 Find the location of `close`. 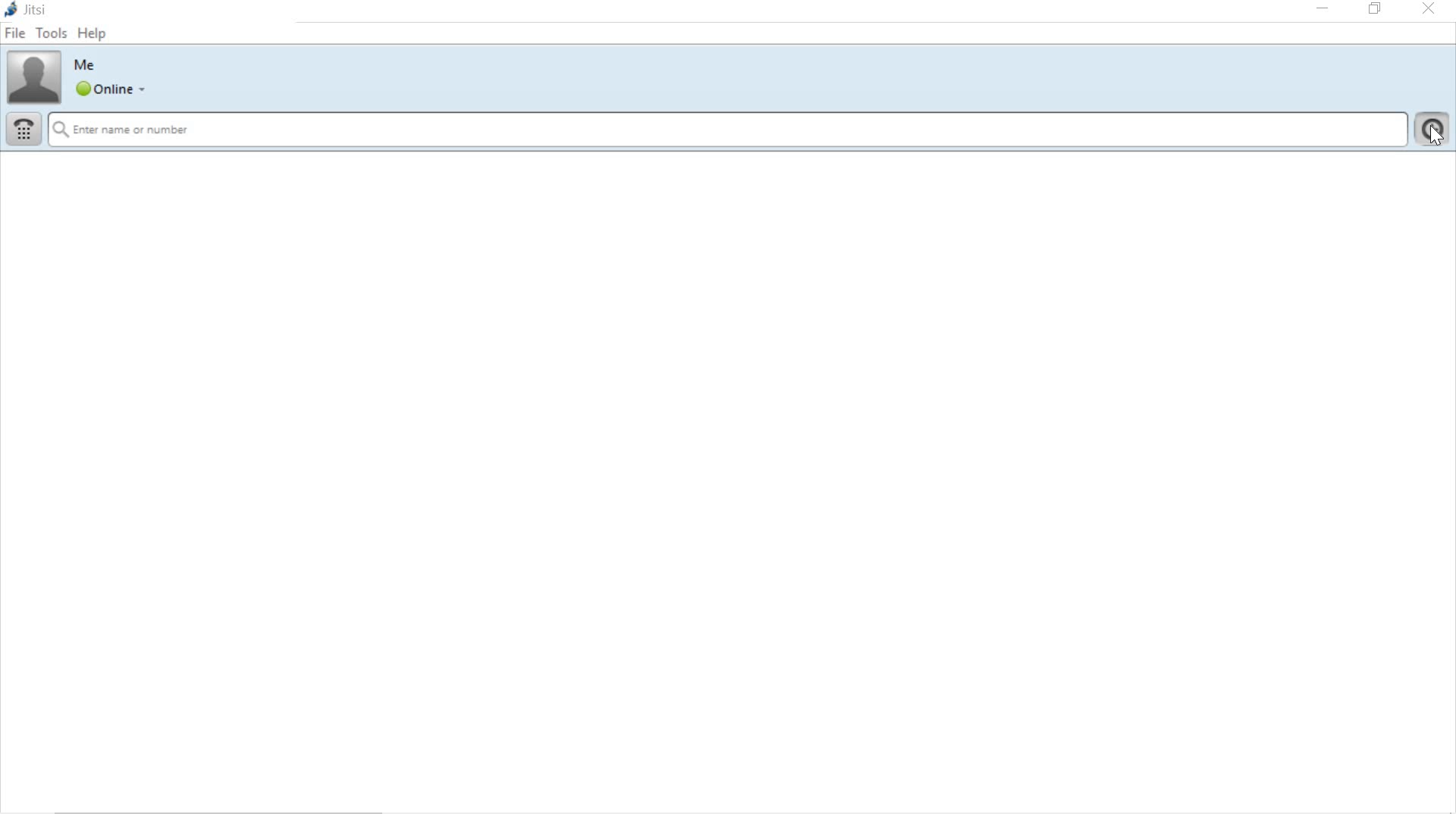

close is located at coordinates (1429, 9).